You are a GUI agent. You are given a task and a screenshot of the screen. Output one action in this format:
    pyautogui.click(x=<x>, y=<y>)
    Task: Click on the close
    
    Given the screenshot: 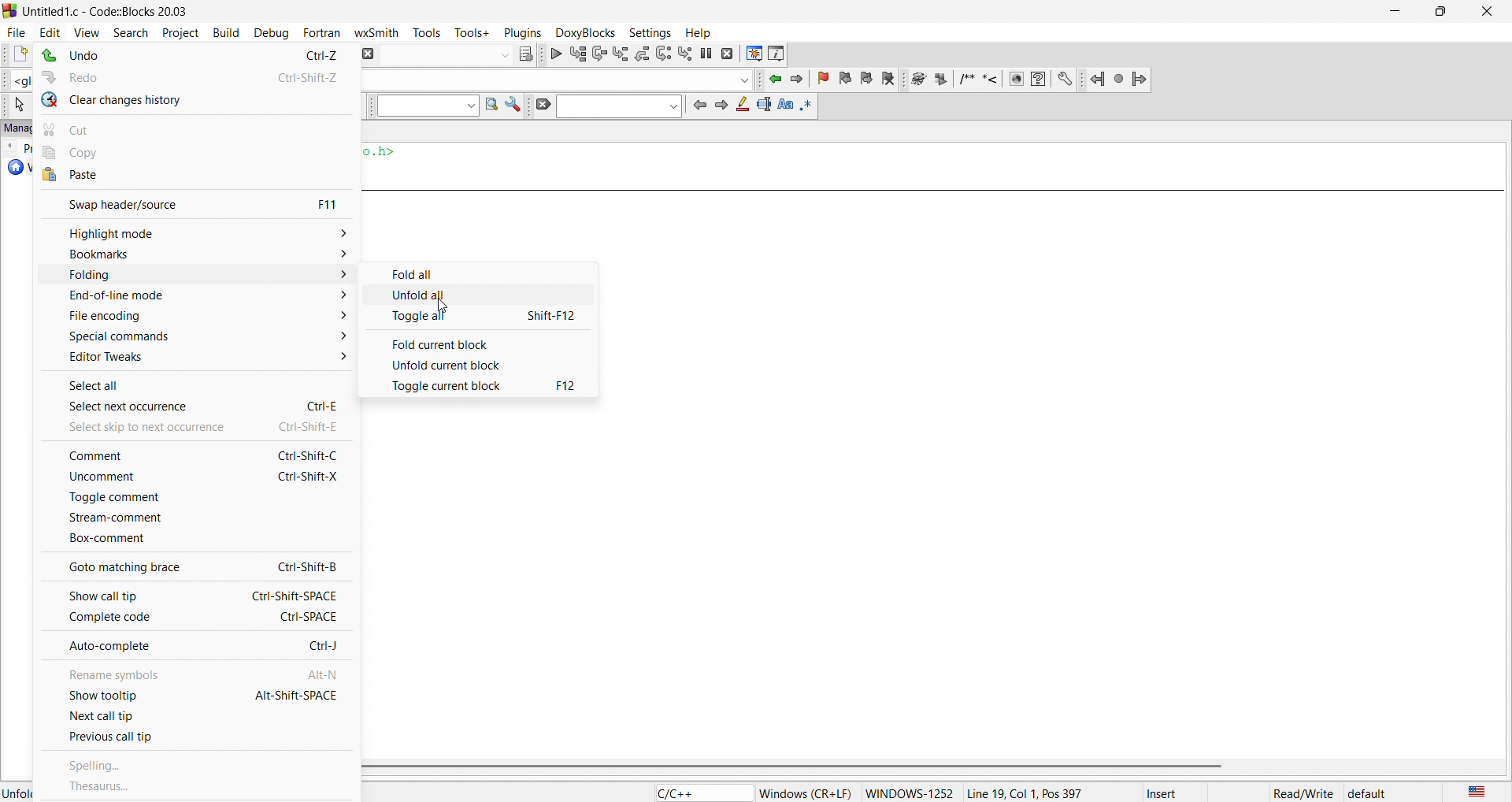 What is the action you would take?
    pyautogui.click(x=1485, y=12)
    